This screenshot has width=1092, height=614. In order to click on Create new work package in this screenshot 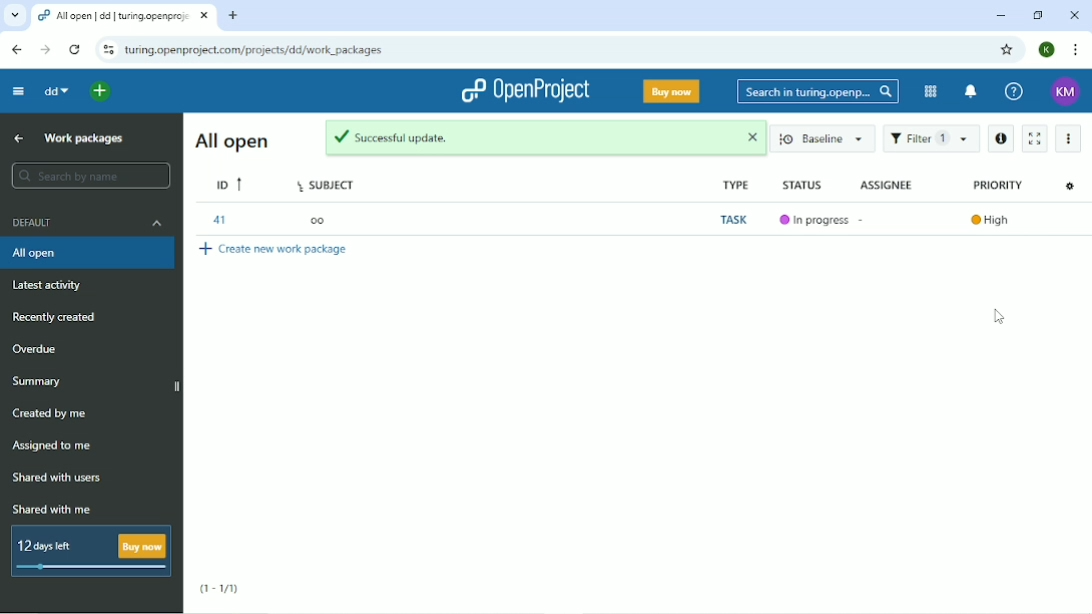, I will do `click(278, 249)`.